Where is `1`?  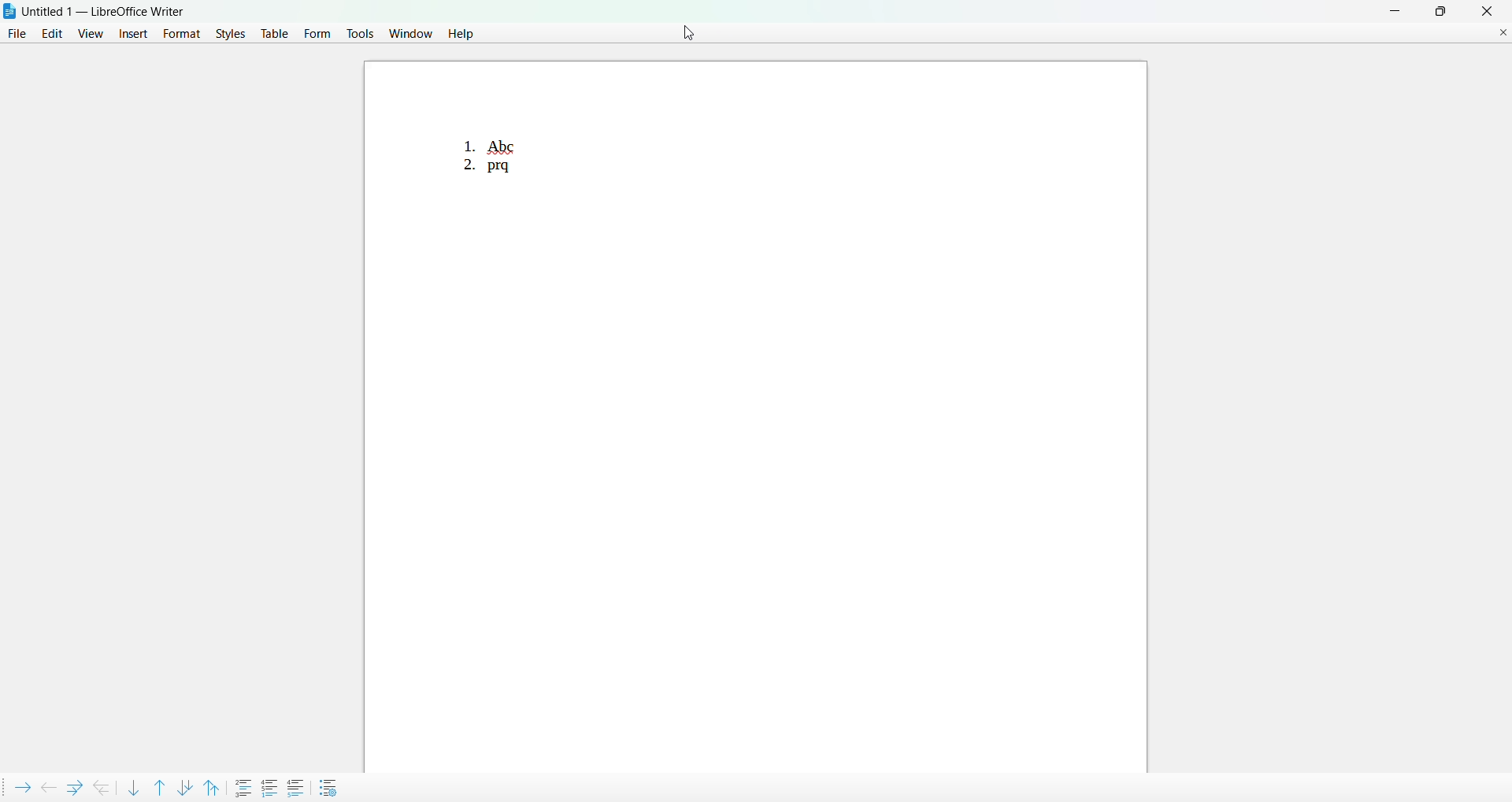
1 is located at coordinates (464, 139).